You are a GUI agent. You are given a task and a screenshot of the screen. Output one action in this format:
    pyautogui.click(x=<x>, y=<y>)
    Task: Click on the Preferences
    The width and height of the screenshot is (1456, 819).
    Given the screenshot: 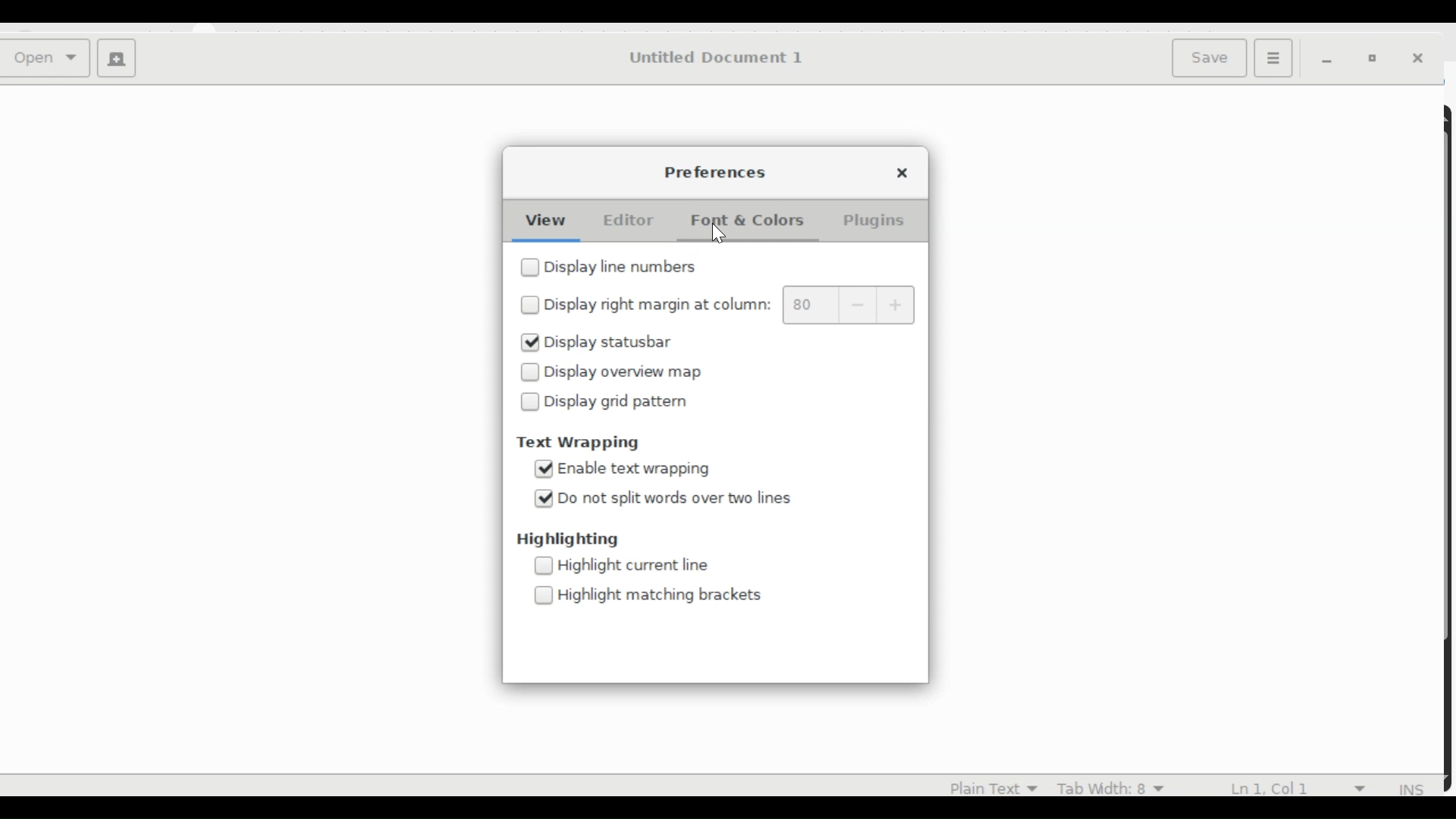 What is the action you would take?
    pyautogui.click(x=713, y=171)
    